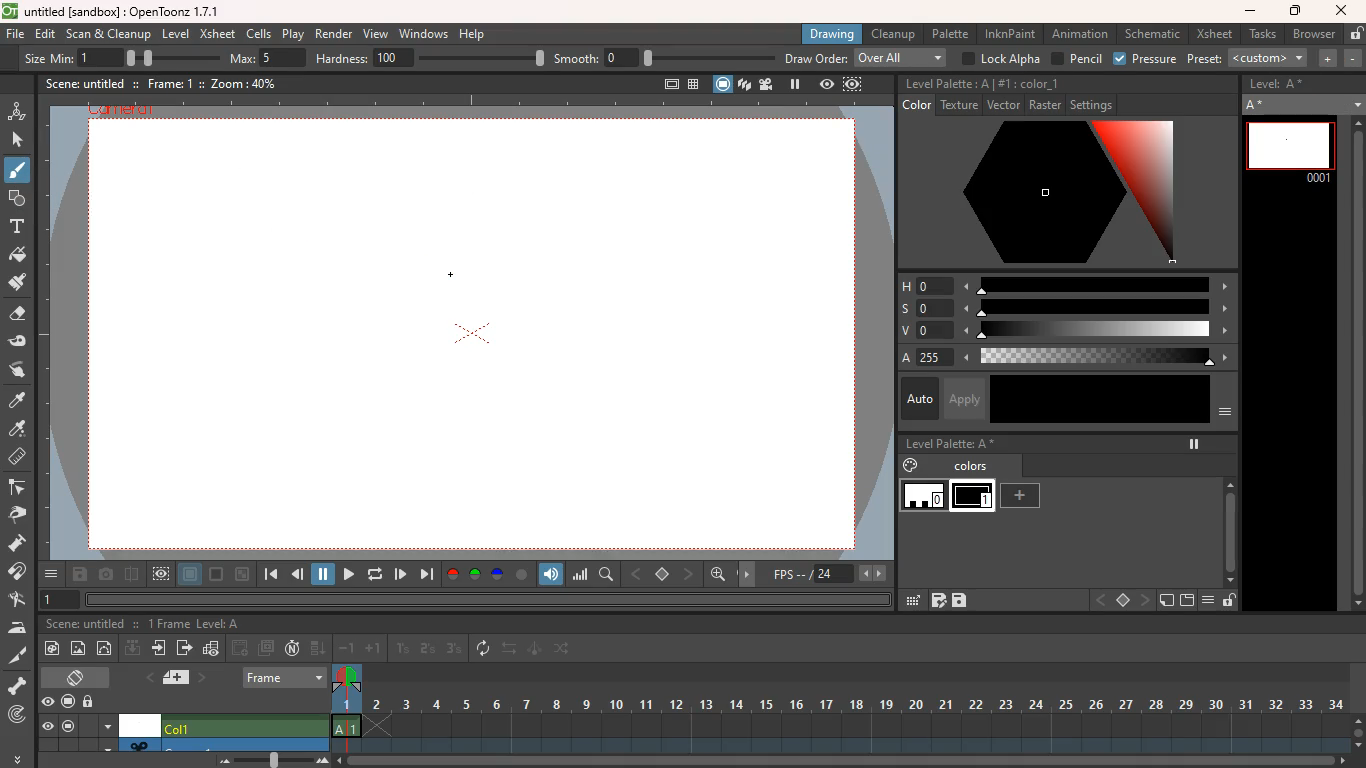 The height and width of the screenshot is (768, 1366). Describe the element at coordinates (1154, 34) in the screenshot. I see `schematic` at that location.